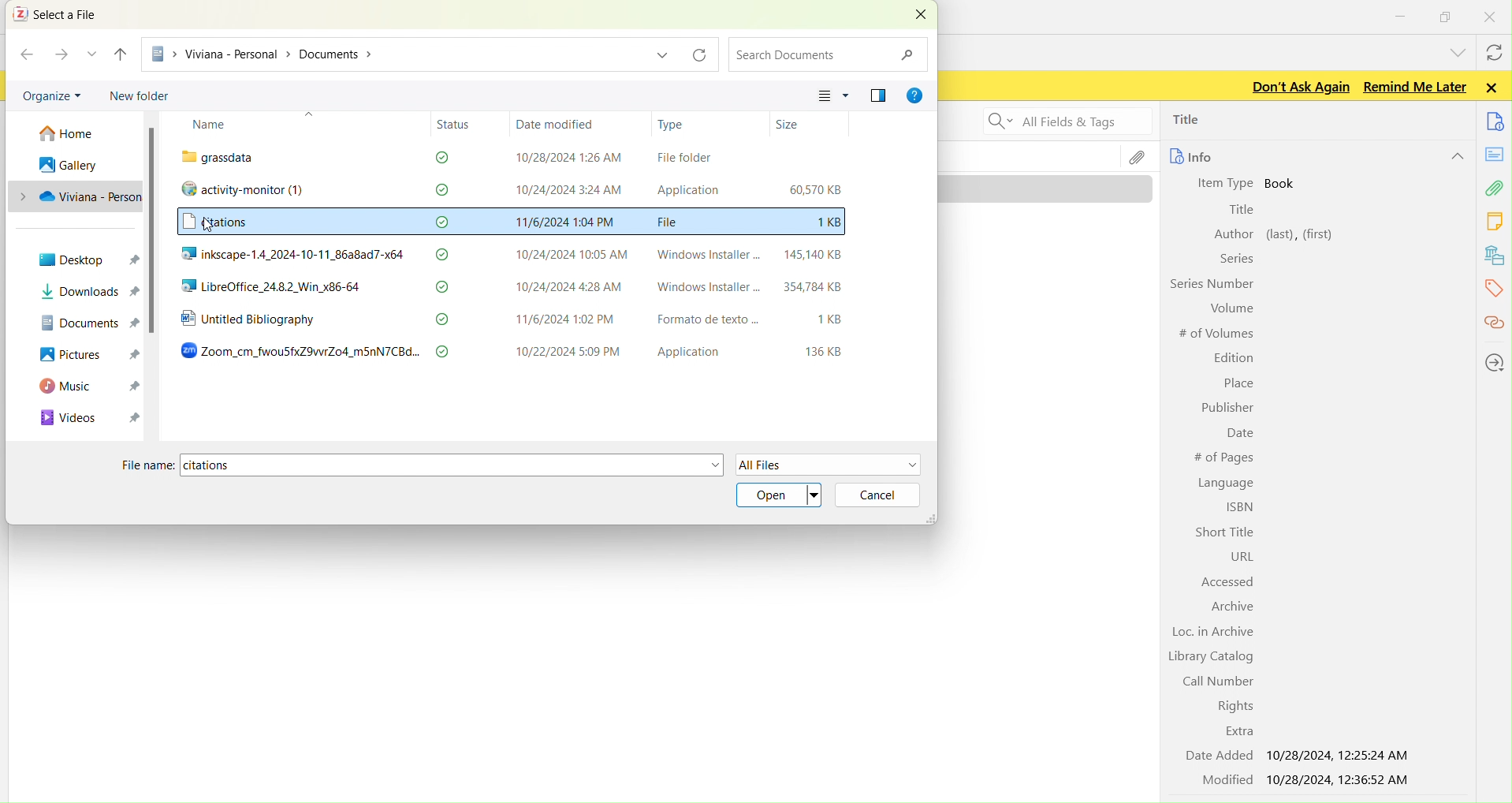 The width and height of the screenshot is (1512, 803). I want to click on 60,570 KB, so click(813, 189).